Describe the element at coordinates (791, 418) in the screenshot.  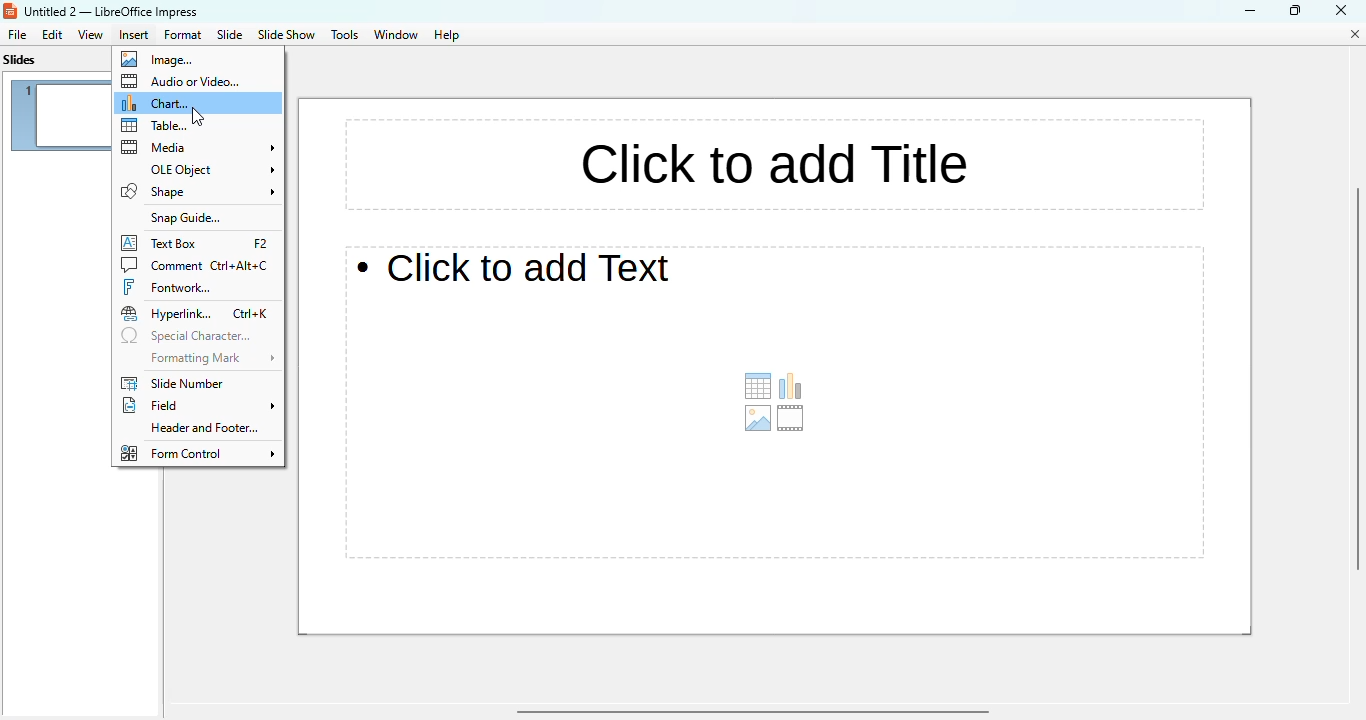
I see `insert audio or video` at that location.